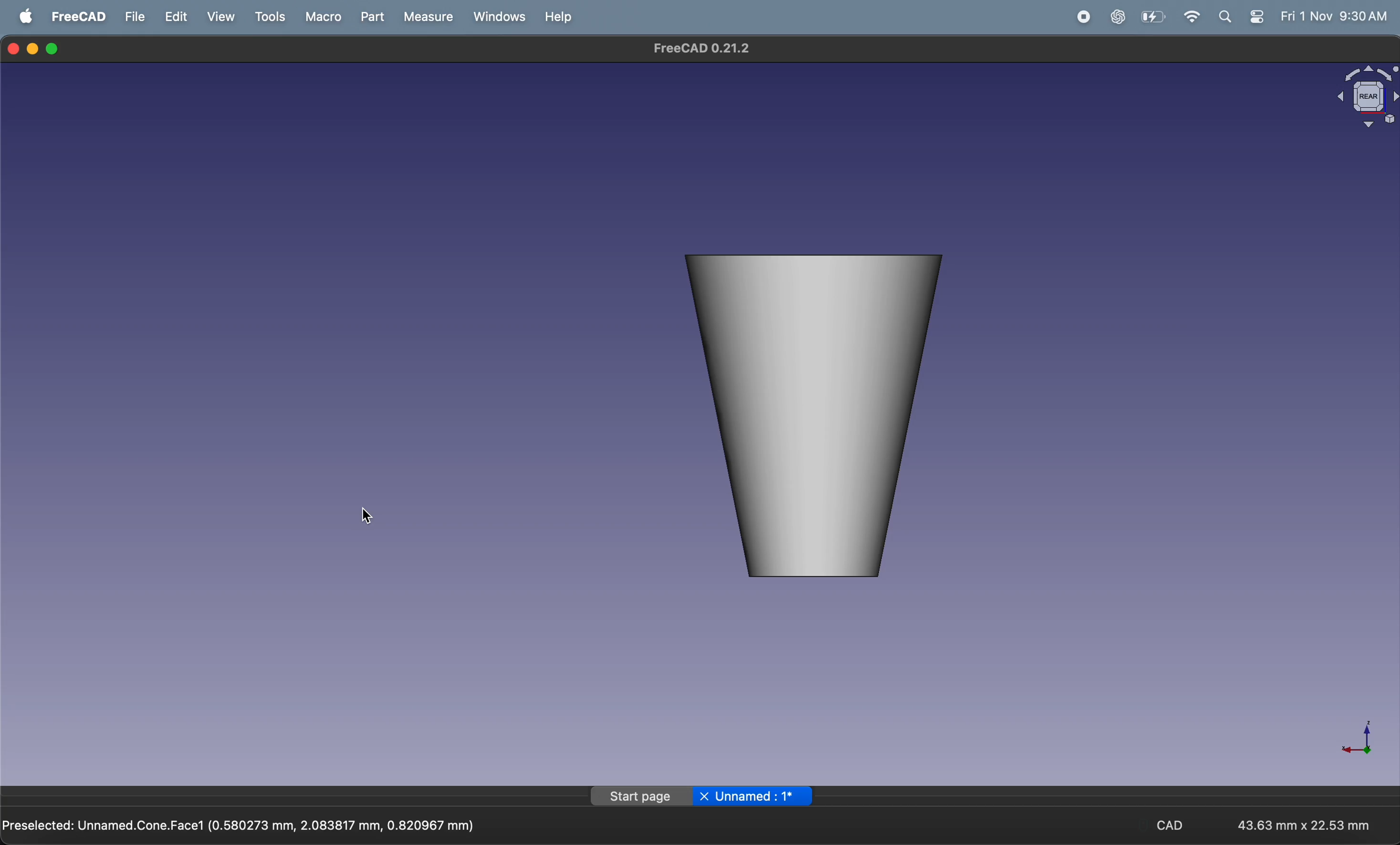 The width and height of the screenshot is (1400, 845). Describe the element at coordinates (270, 16) in the screenshot. I see `tools` at that location.